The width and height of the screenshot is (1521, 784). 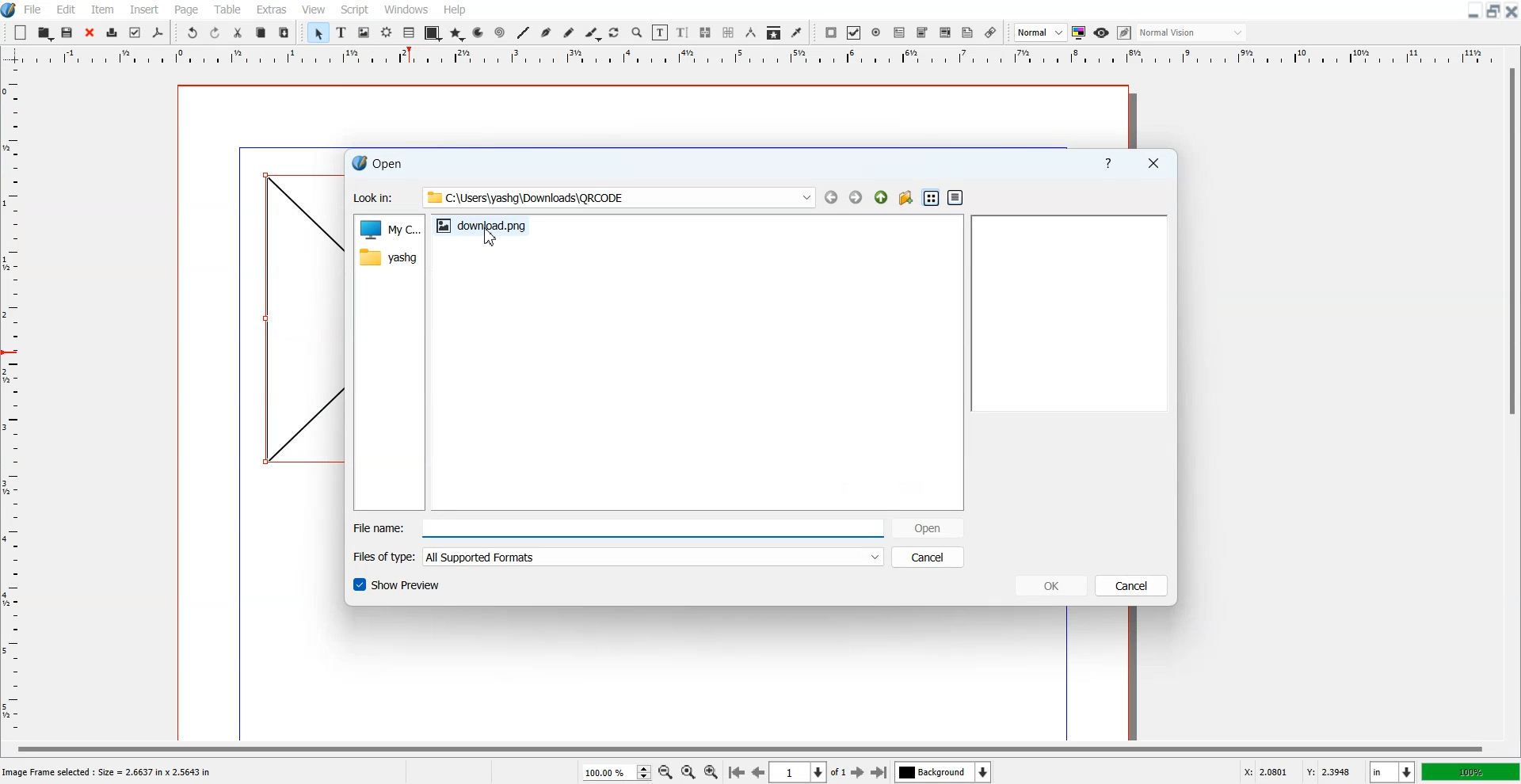 I want to click on Vertical Scroll Bar, so click(x=1510, y=401).